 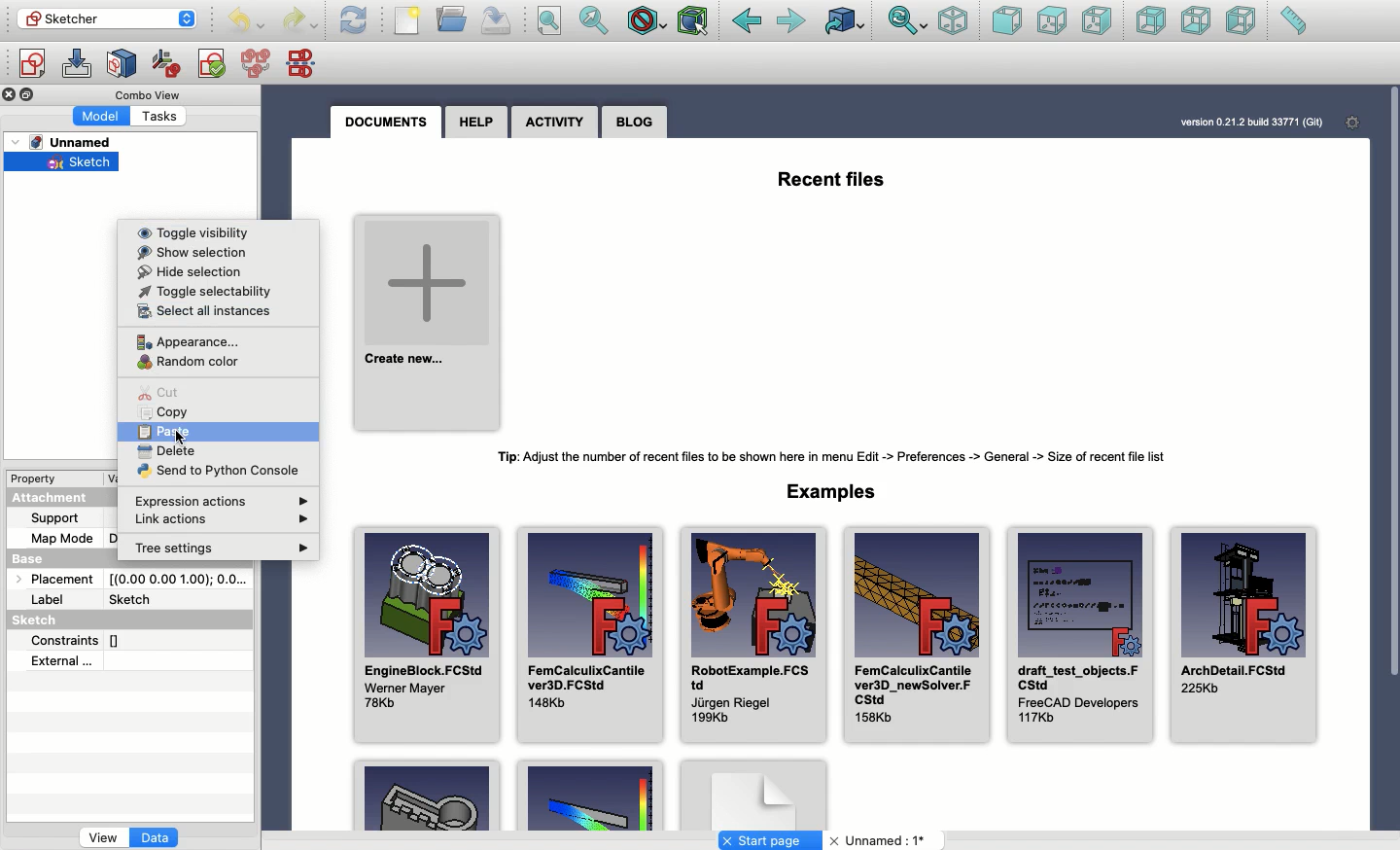 I want to click on Top, so click(x=1052, y=21).